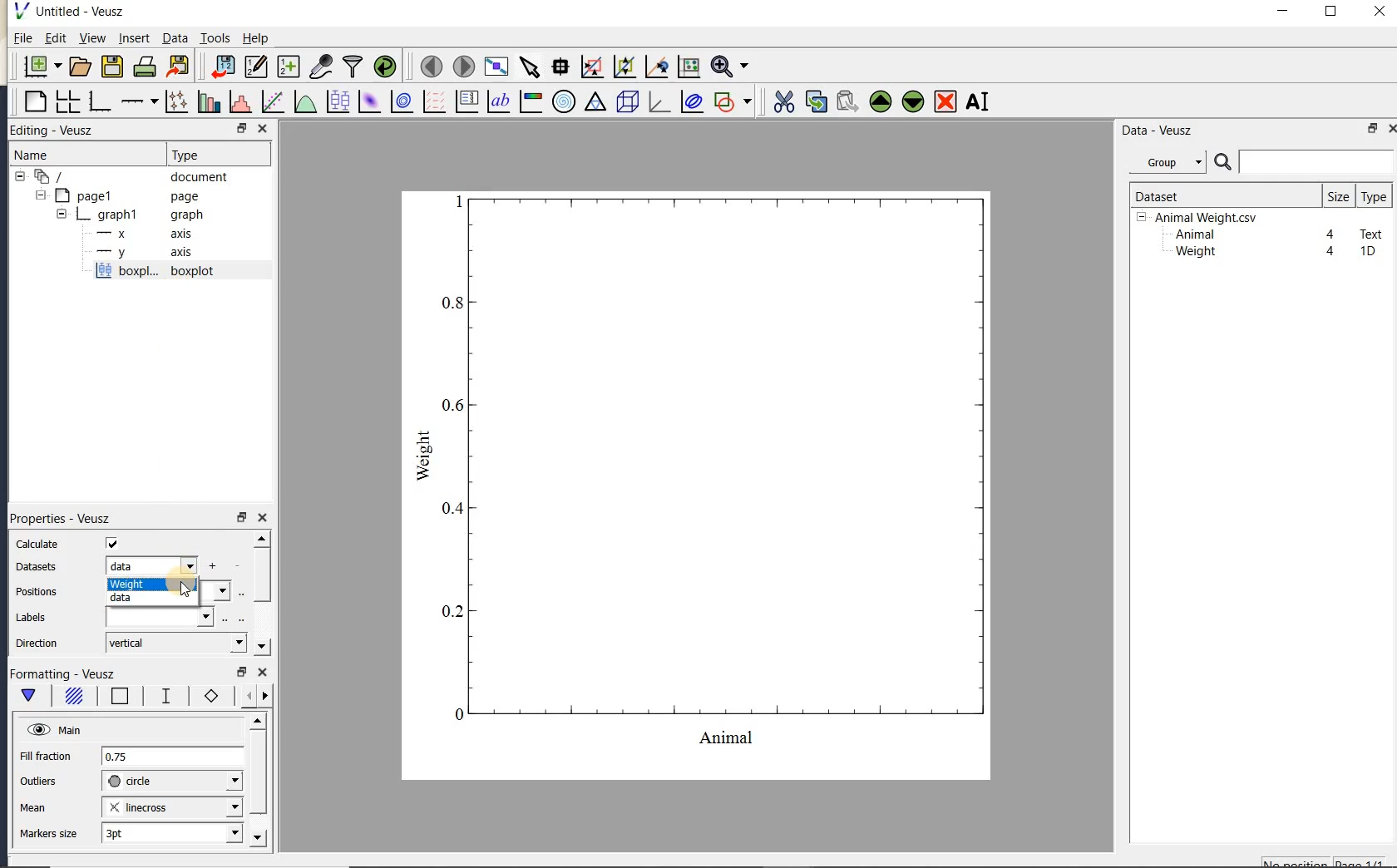 The image size is (1397, 868). Describe the element at coordinates (690, 101) in the screenshot. I see `plot covariance ellipses` at that location.